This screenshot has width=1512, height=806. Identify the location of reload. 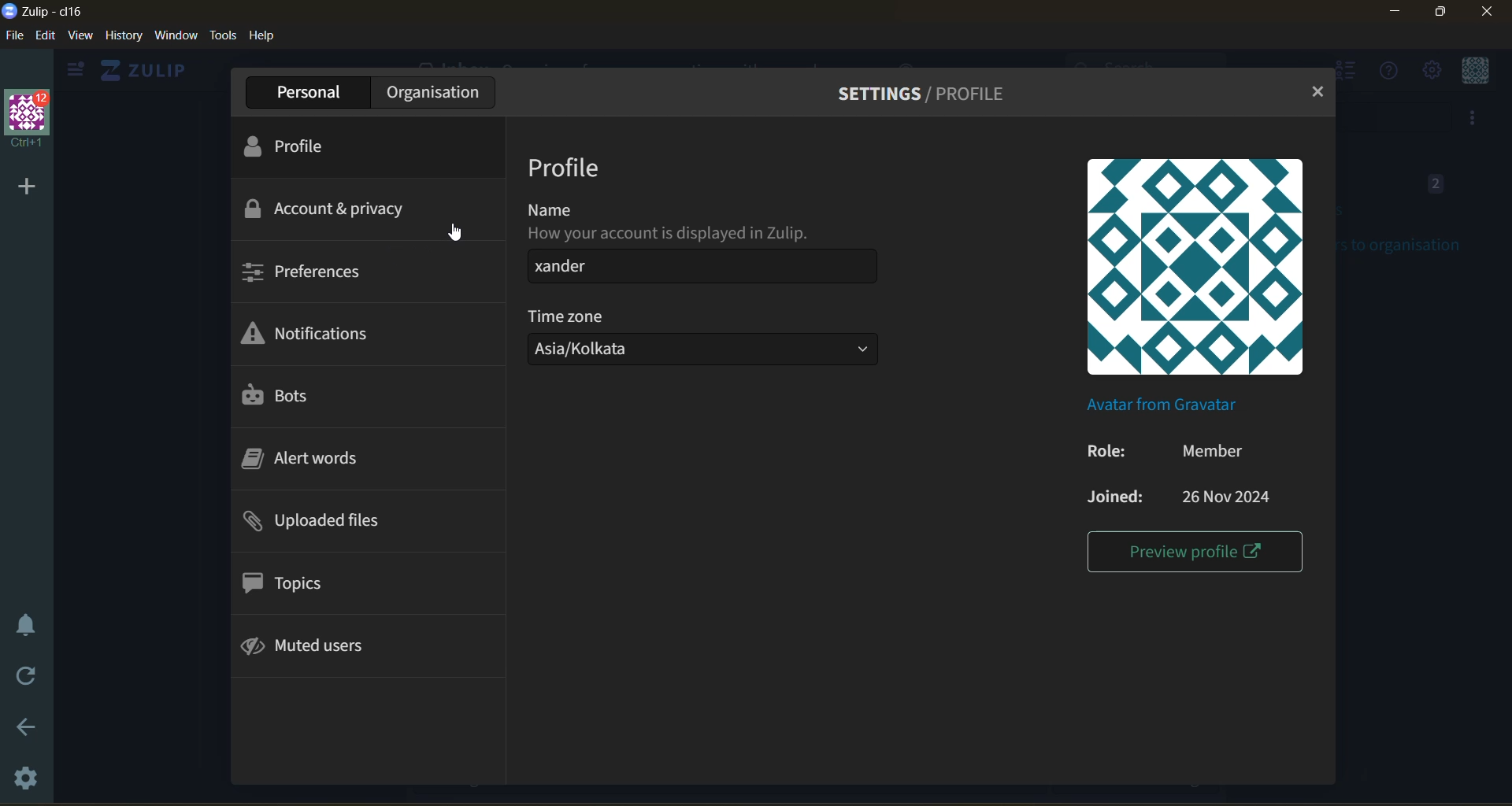
(28, 677).